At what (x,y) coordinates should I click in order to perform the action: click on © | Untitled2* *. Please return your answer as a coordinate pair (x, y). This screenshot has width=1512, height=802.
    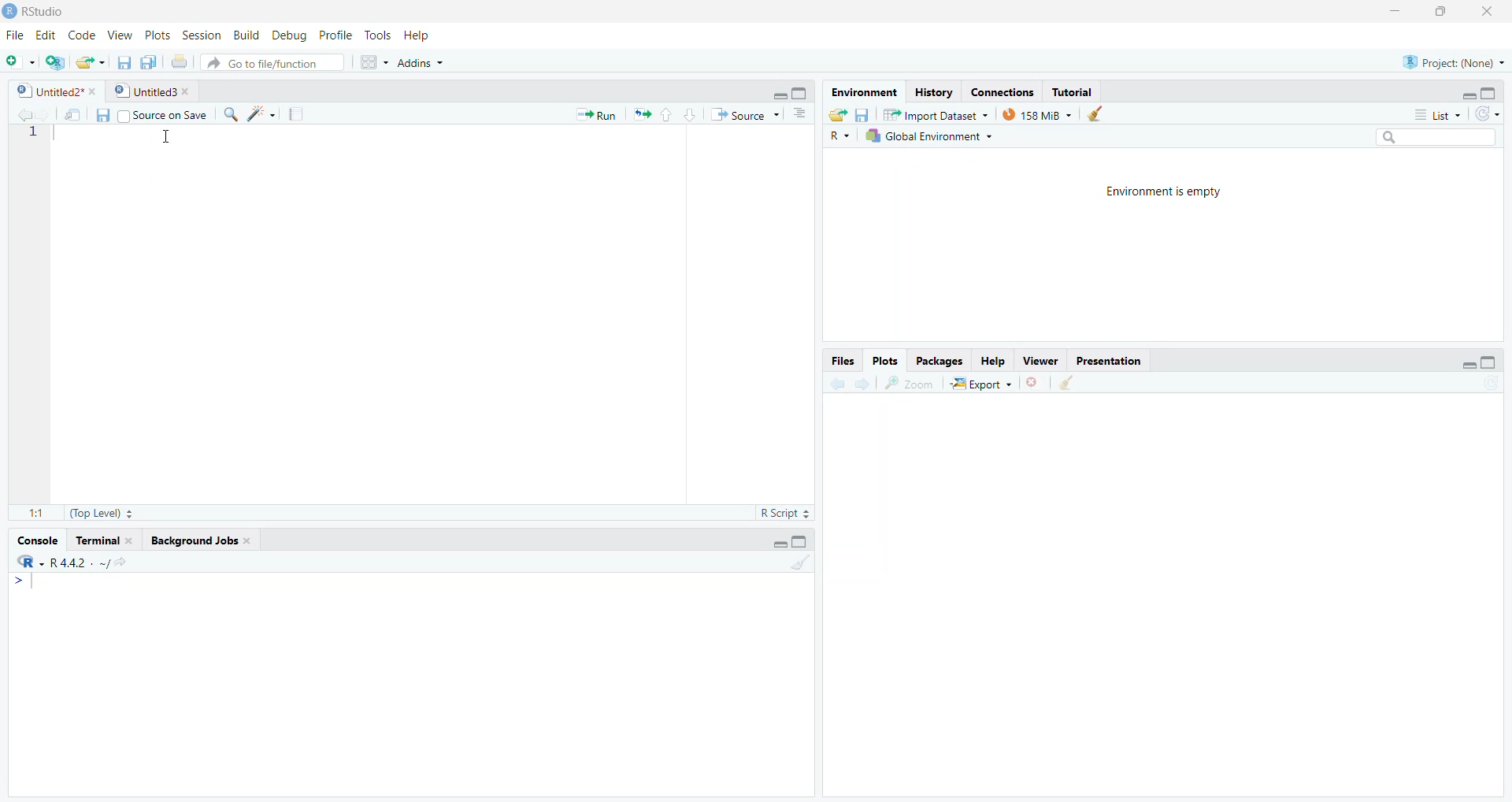
    Looking at the image, I should click on (51, 89).